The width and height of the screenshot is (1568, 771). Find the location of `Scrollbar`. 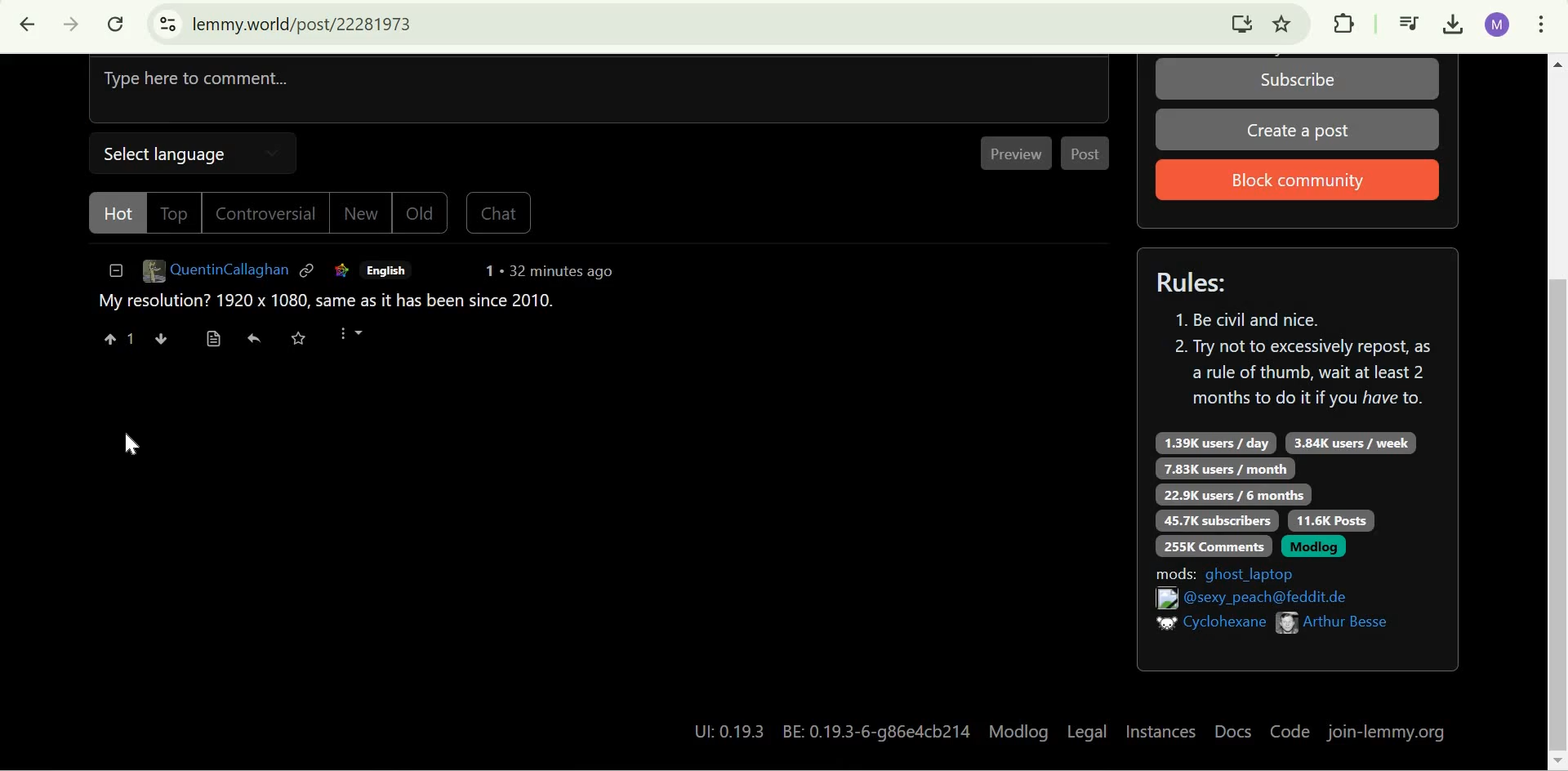

Scrollbar is located at coordinates (1557, 411).